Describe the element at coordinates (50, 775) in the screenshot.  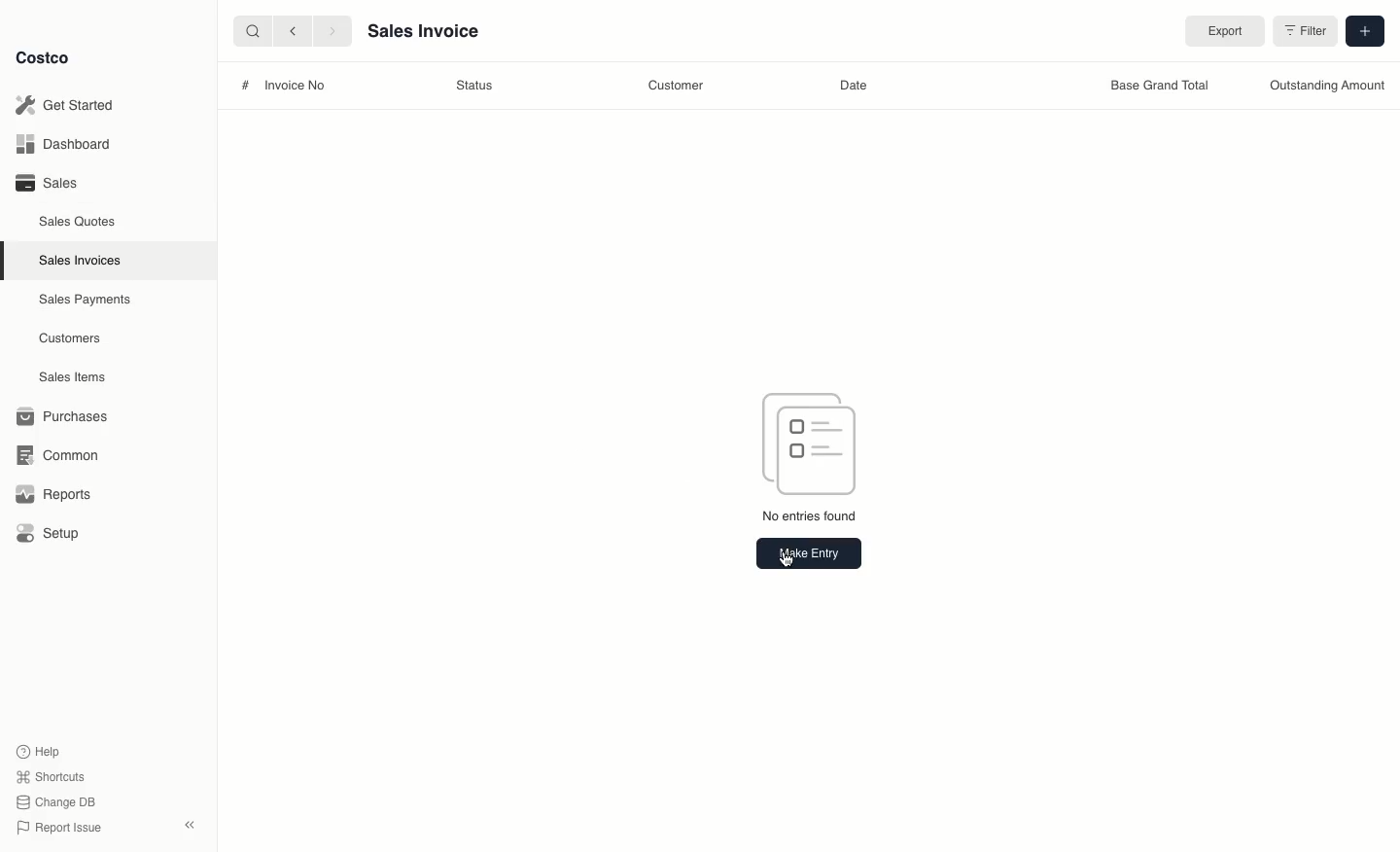
I see `Shortcuts` at that location.